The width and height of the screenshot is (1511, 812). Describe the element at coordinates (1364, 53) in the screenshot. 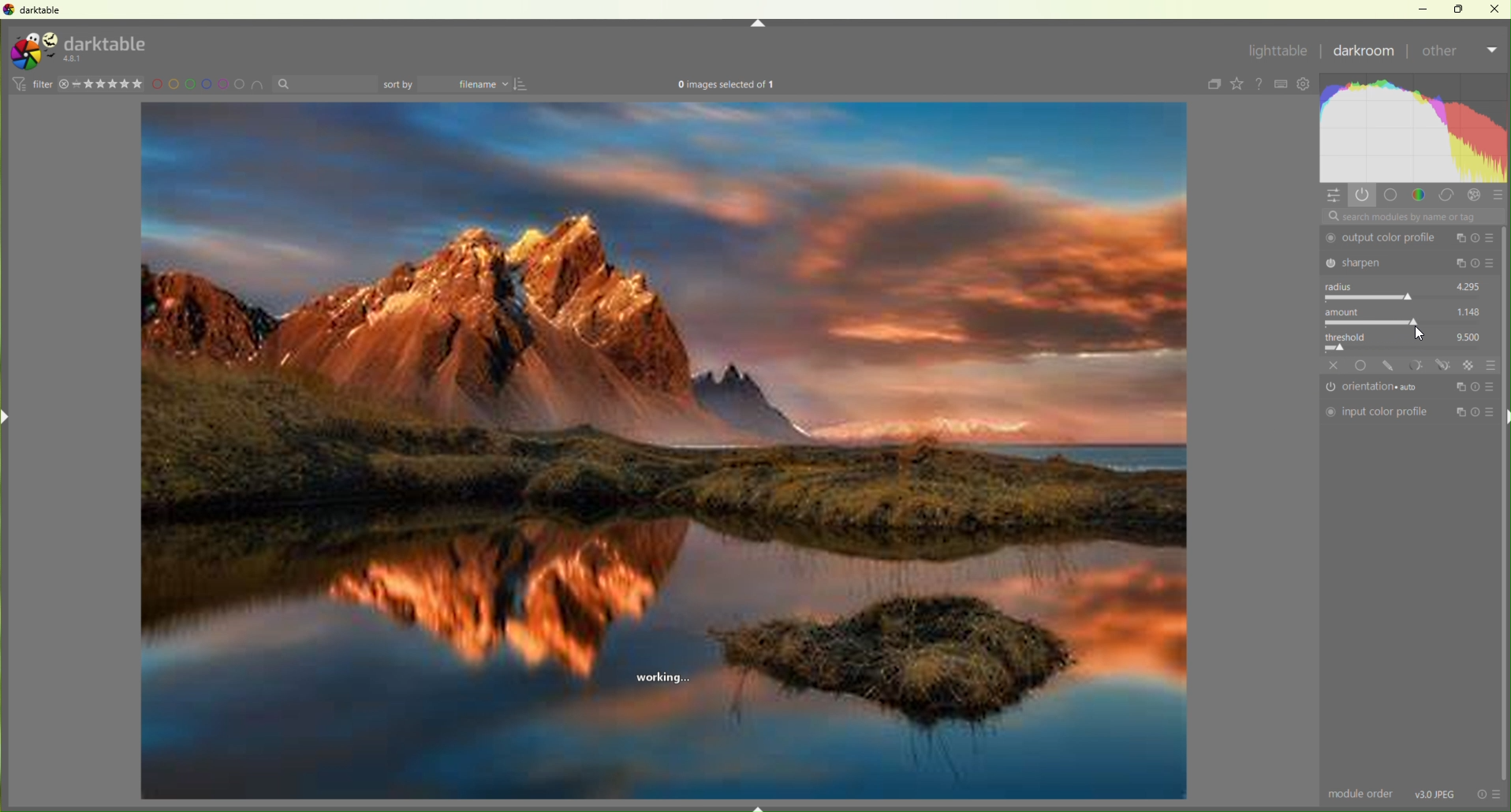

I see `Darkroom` at that location.